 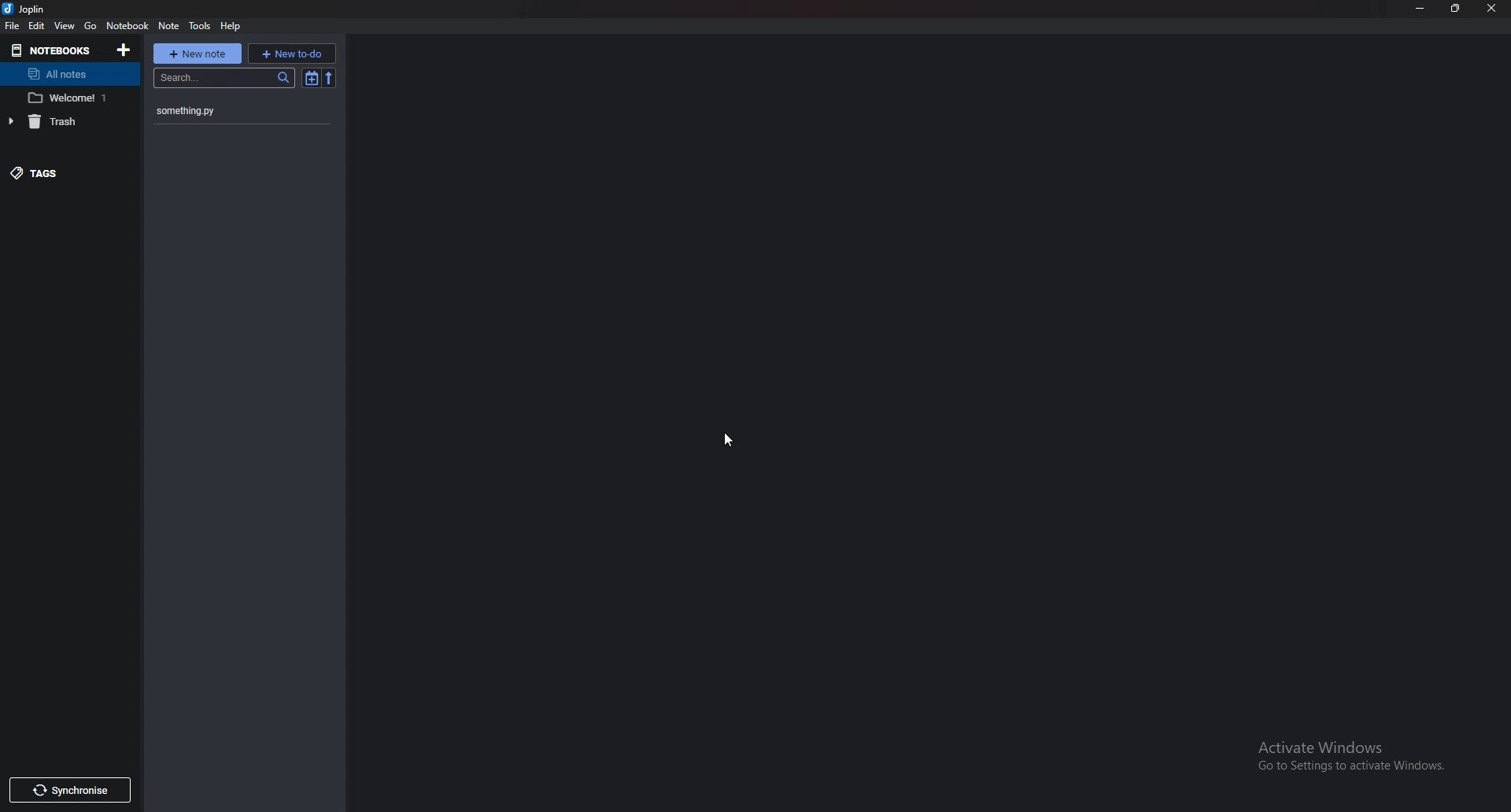 What do you see at coordinates (38, 27) in the screenshot?
I see `edit` at bounding box center [38, 27].